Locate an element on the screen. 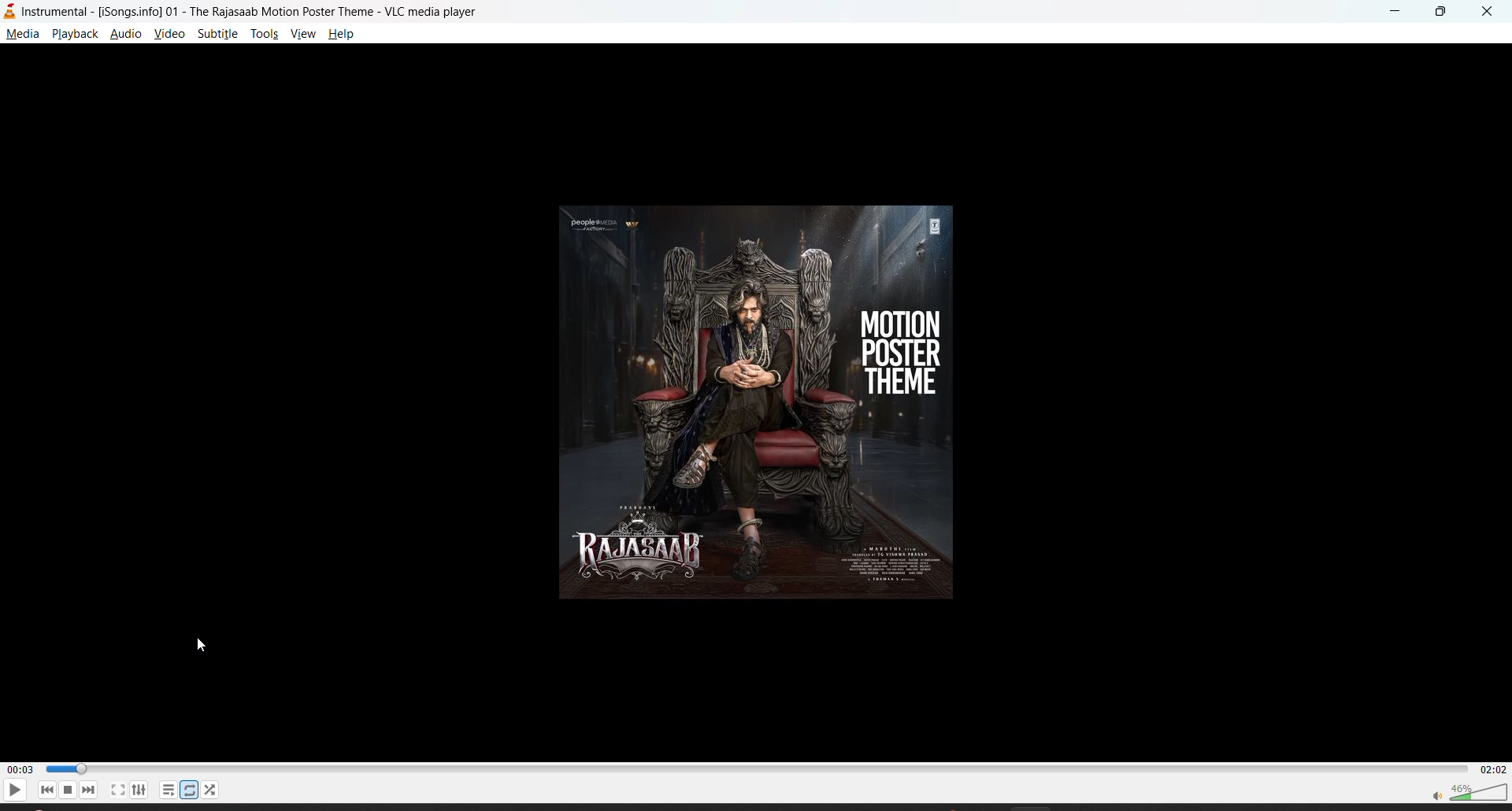  volume is located at coordinates (1469, 793).